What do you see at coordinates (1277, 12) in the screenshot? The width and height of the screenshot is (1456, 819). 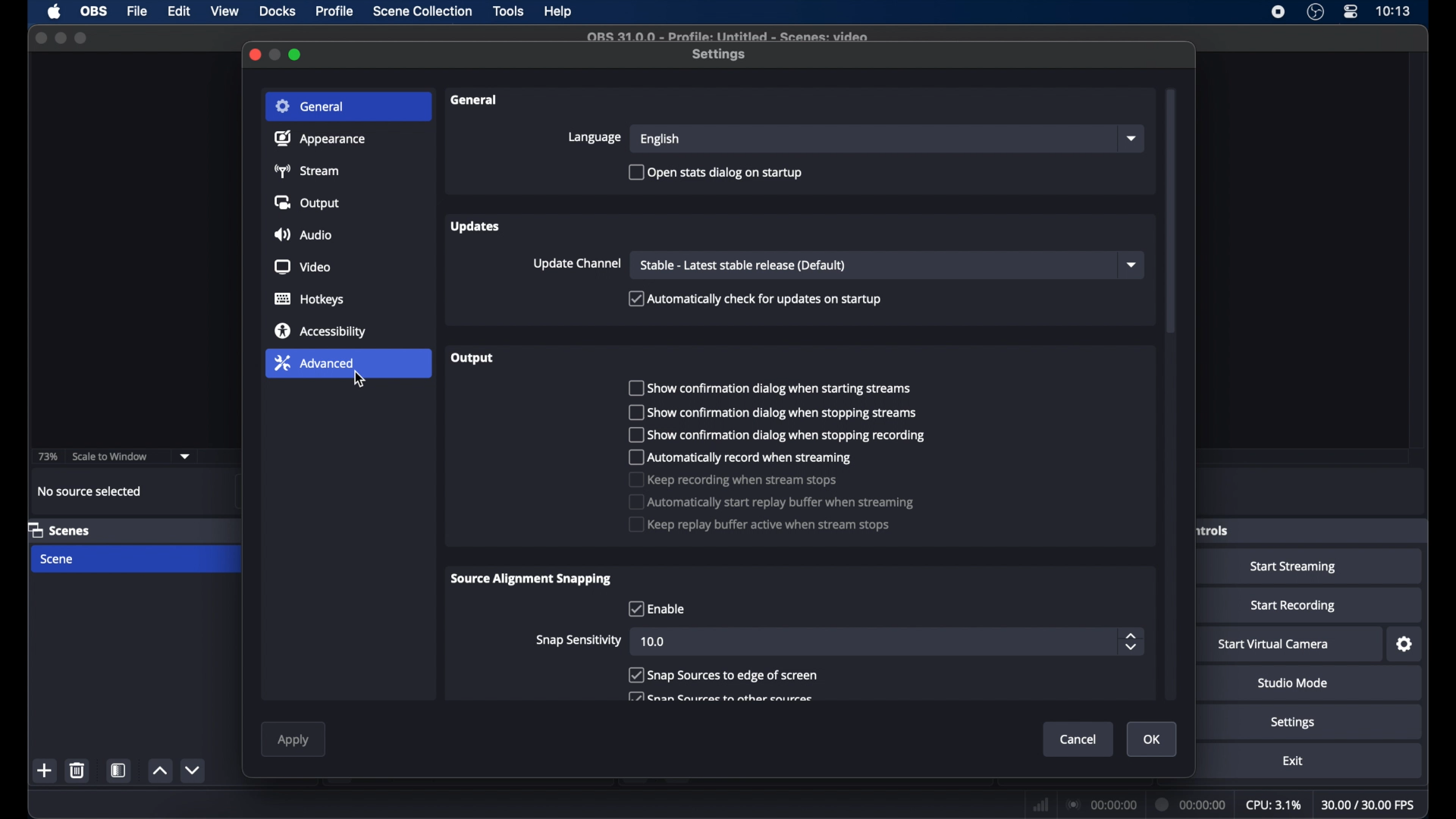 I see `screen recorder` at bounding box center [1277, 12].